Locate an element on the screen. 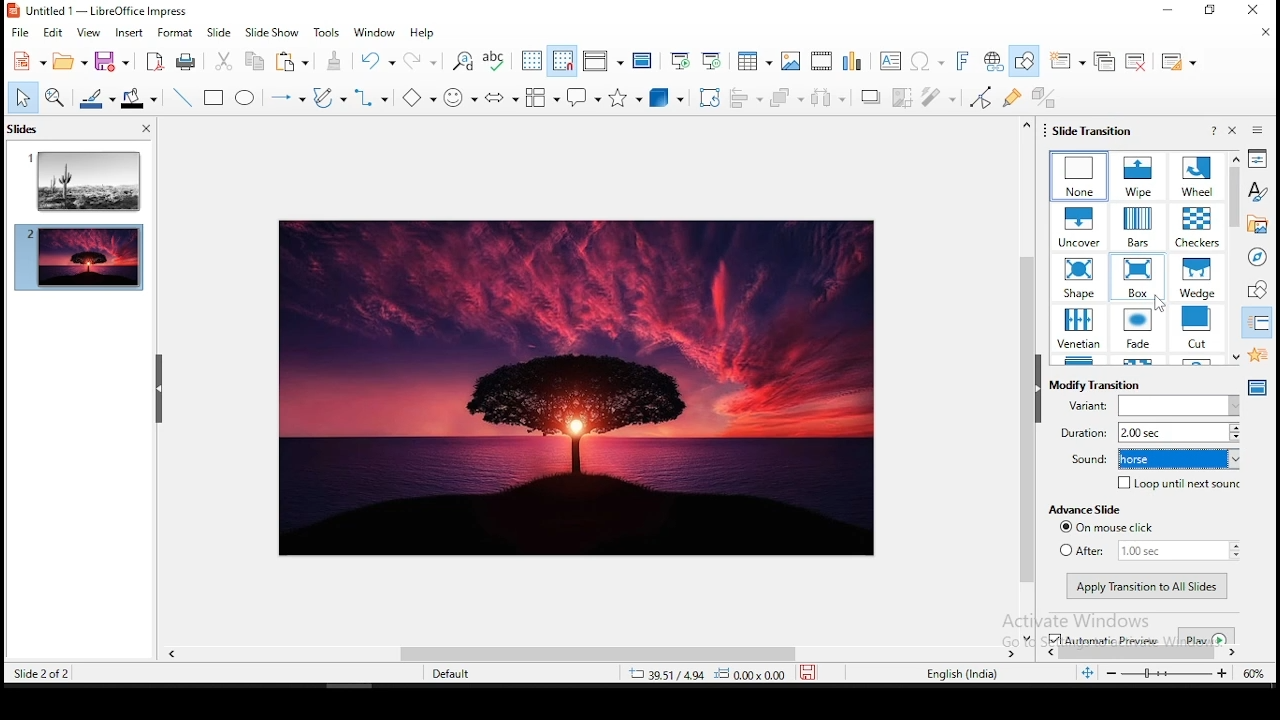  slide 1 is located at coordinates (79, 178).